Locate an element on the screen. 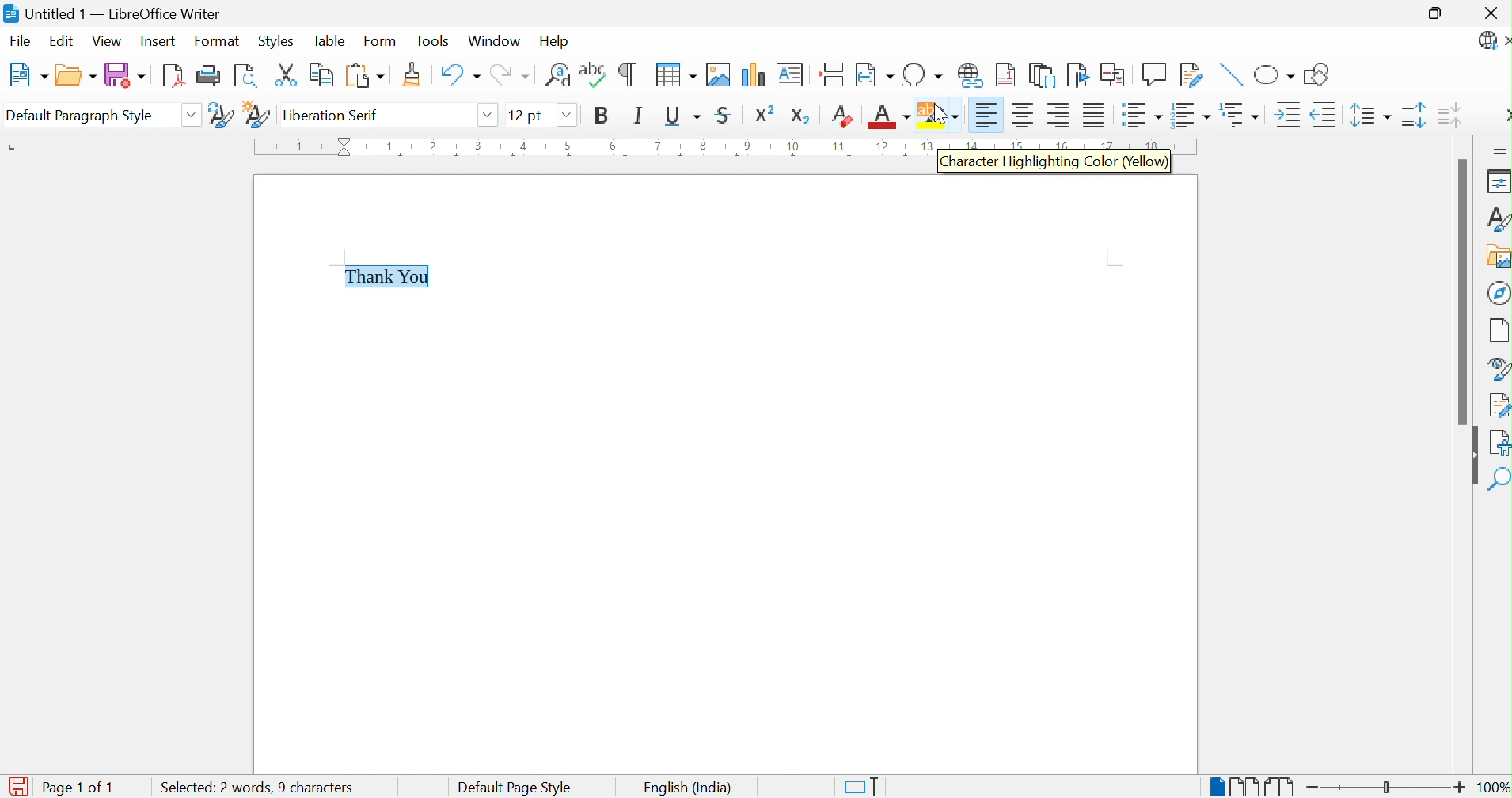  Undo is located at coordinates (460, 75).